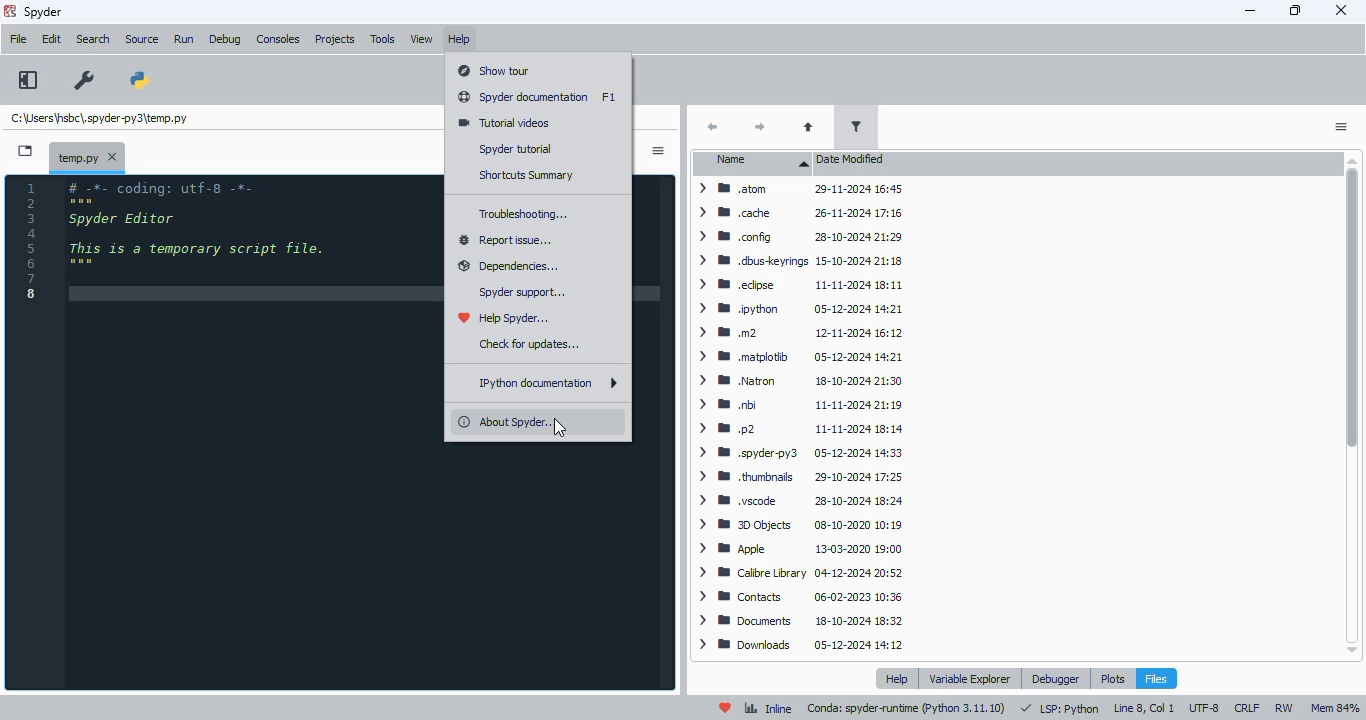 Image resolution: width=1366 pixels, height=720 pixels. What do you see at coordinates (797, 477) in the screenshot?
I see `> WM thumbnails 29-10-2024 17:25` at bounding box center [797, 477].